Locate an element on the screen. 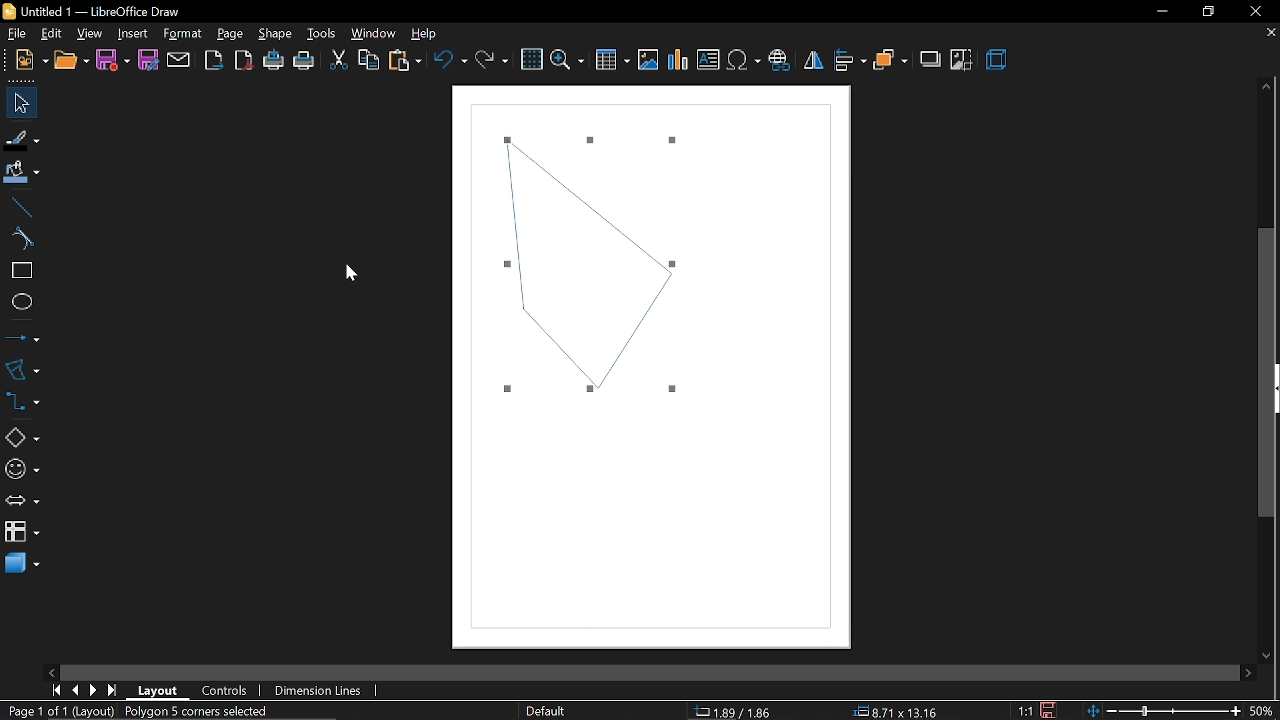 The width and height of the screenshot is (1280, 720). print is located at coordinates (305, 61).